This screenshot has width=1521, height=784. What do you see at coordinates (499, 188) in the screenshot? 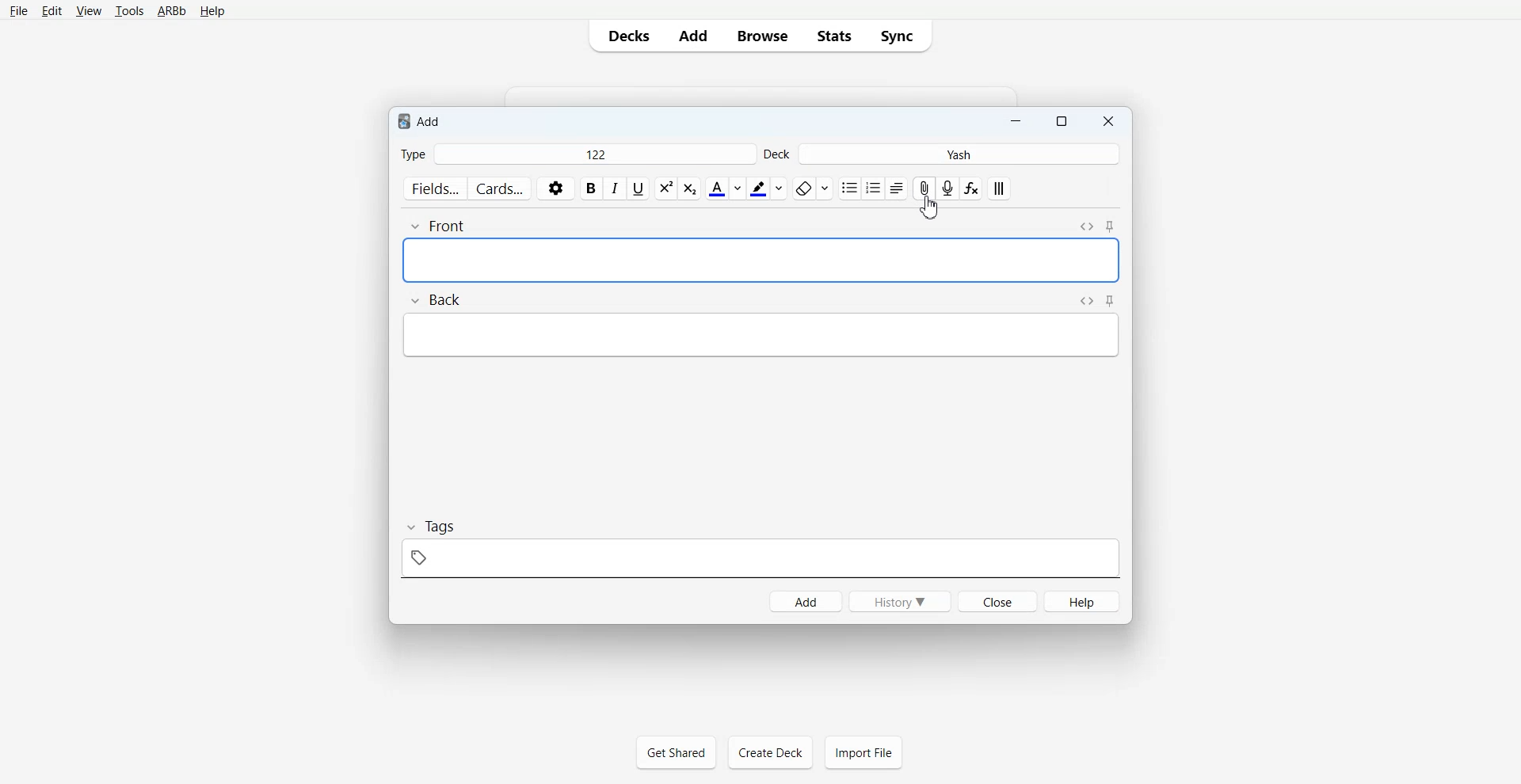
I see `Cards` at bounding box center [499, 188].